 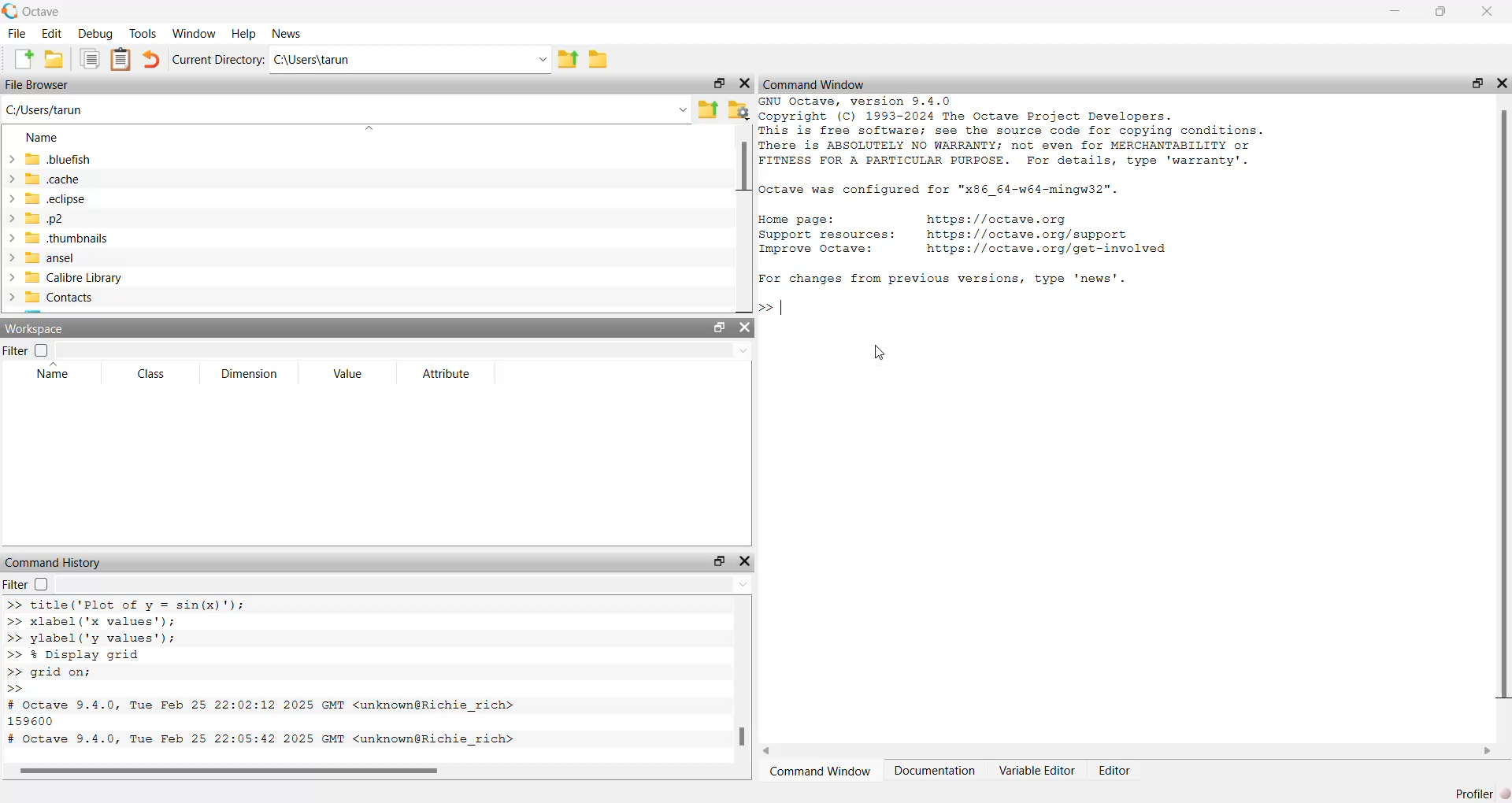 I want to click on .thumbnails, so click(x=76, y=239).